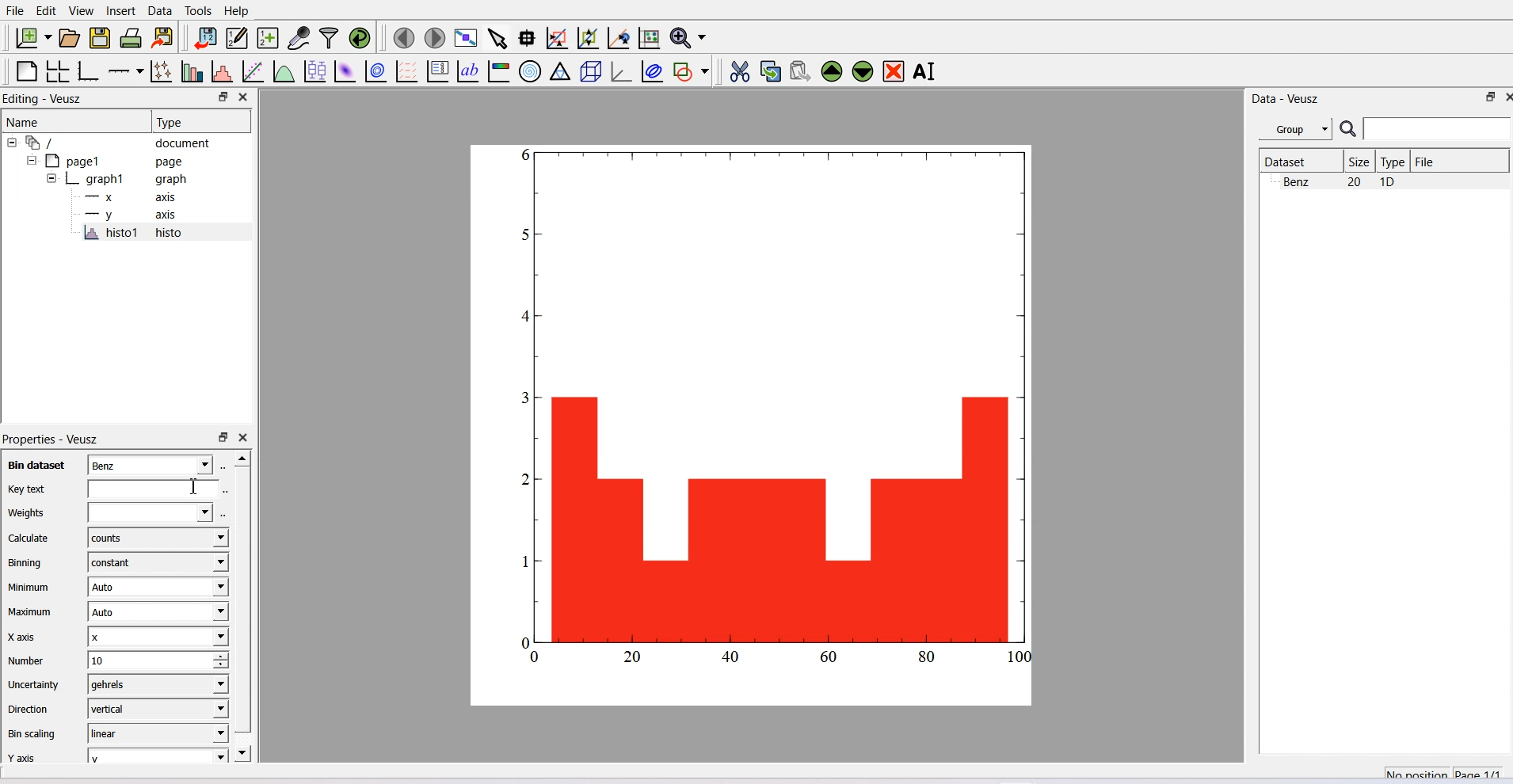  Describe the element at coordinates (242, 458) in the screenshot. I see `Scroll up` at that location.